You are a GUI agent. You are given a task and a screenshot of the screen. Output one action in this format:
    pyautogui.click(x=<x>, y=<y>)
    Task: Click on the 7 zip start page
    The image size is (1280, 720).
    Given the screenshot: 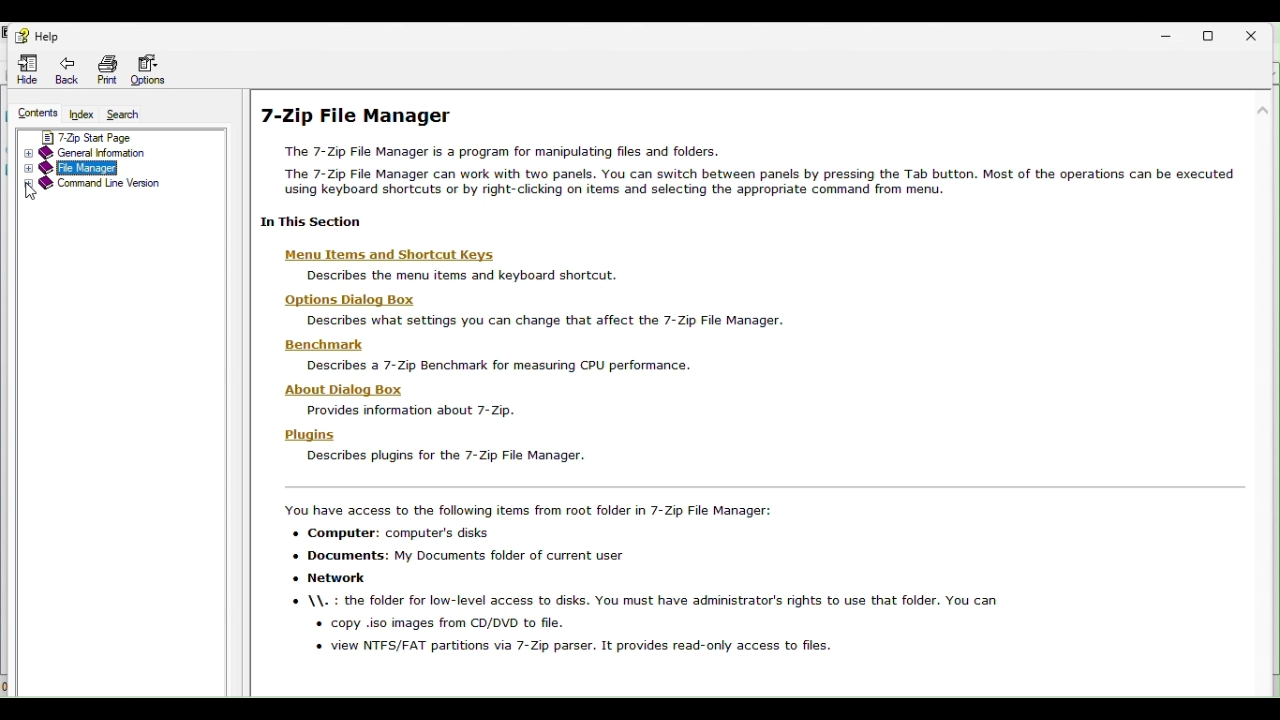 What is the action you would take?
    pyautogui.click(x=95, y=135)
    